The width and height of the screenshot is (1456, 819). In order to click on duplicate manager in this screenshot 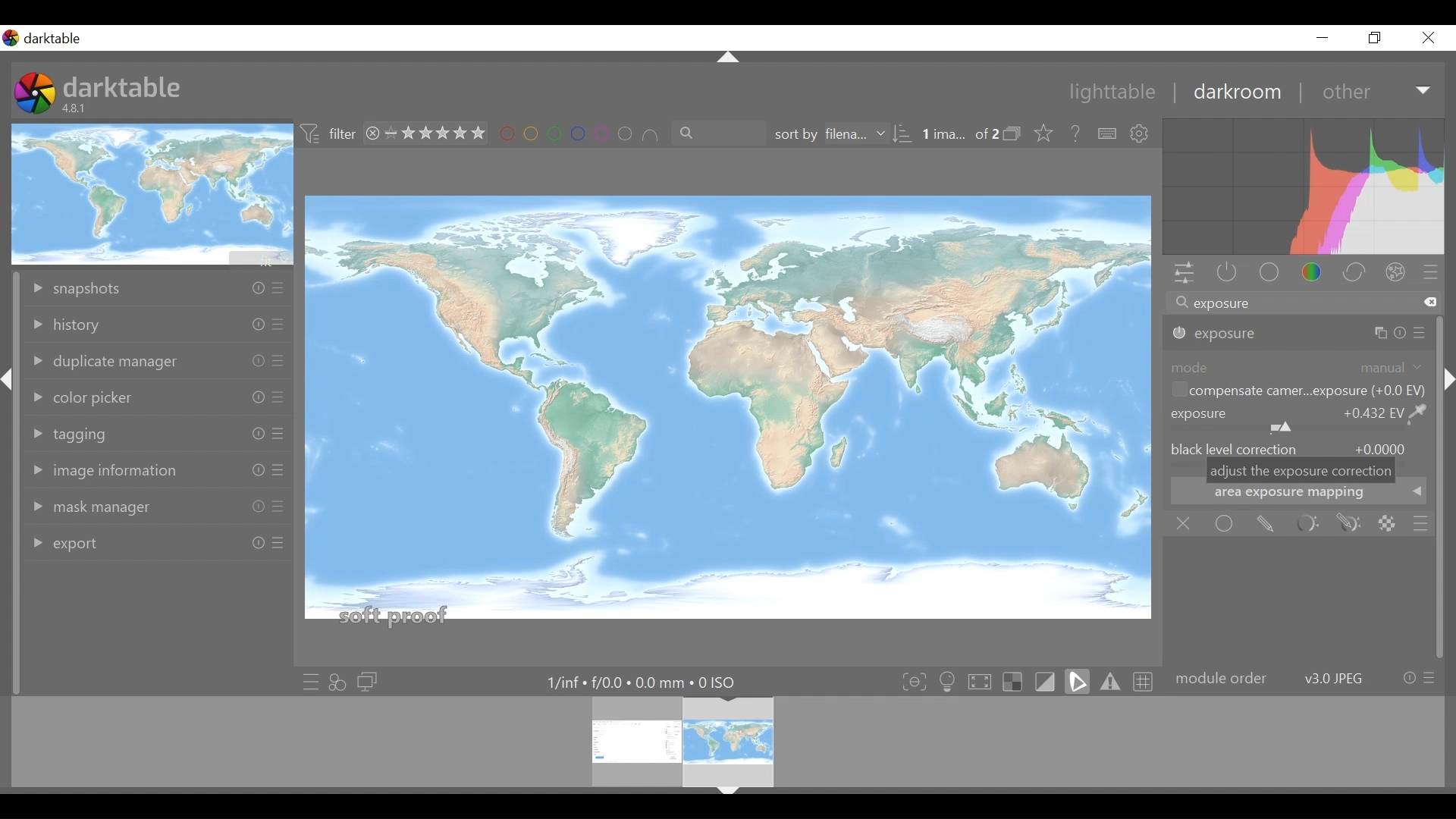, I will do `click(111, 361)`.